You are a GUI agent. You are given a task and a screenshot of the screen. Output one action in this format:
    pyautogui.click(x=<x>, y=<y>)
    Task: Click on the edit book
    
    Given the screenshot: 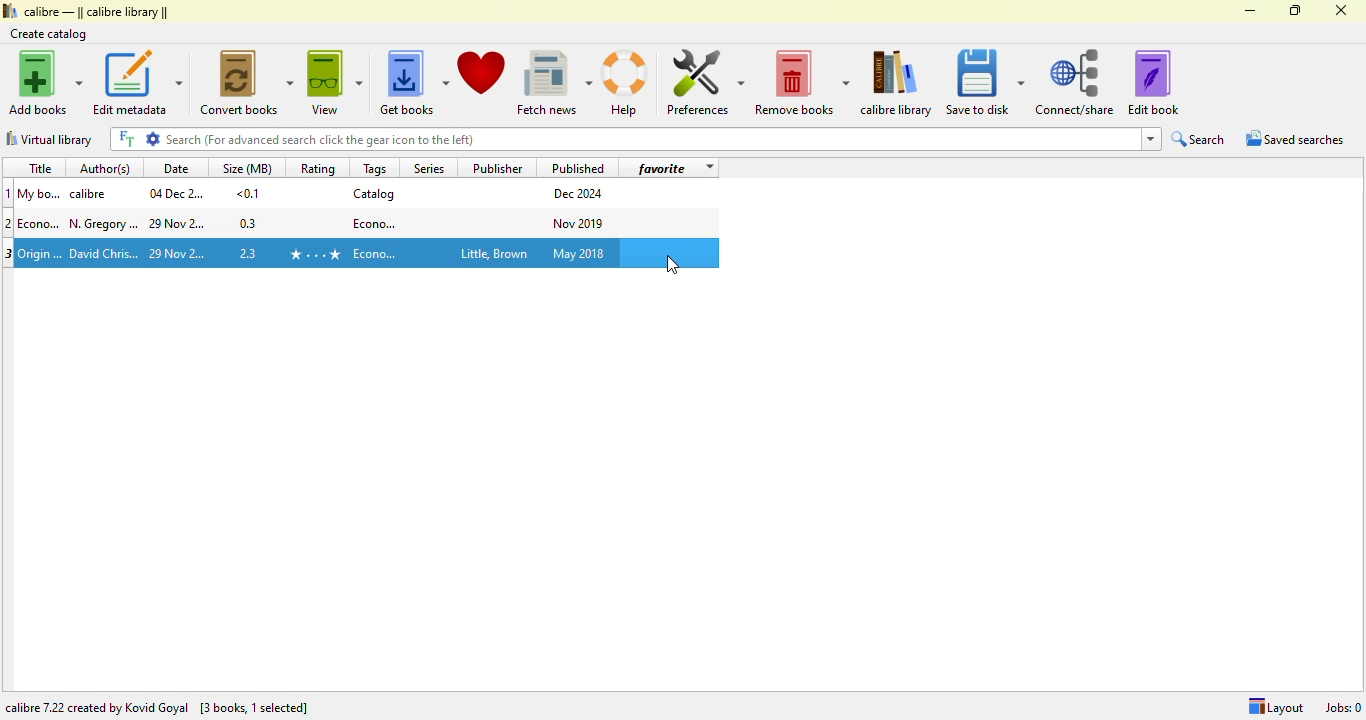 What is the action you would take?
    pyautogui.click(x=1153, y=82)
    